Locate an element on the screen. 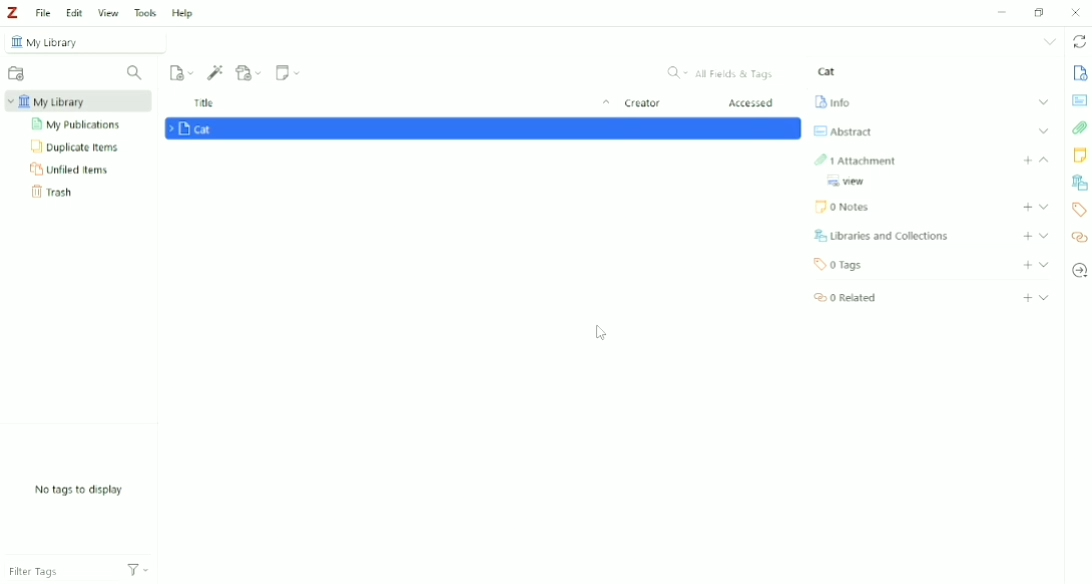 This screenshot has height=584, width=1092. All Fields & Tags is located at coordinates (722, 73).